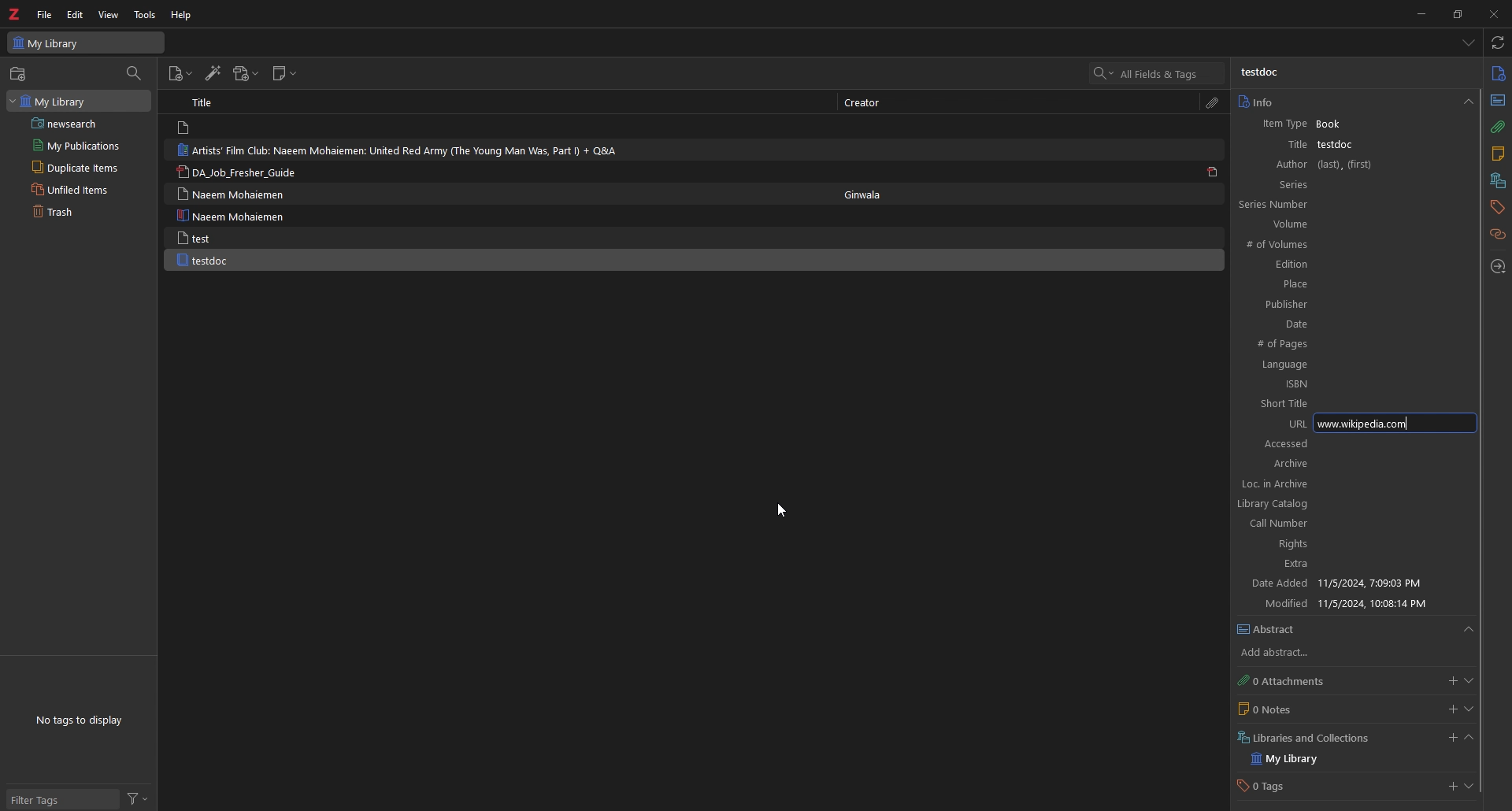 Image resolution: width=1512 pixels, height=811 pixels. I want to click on Publisher, so click(1332, 304).